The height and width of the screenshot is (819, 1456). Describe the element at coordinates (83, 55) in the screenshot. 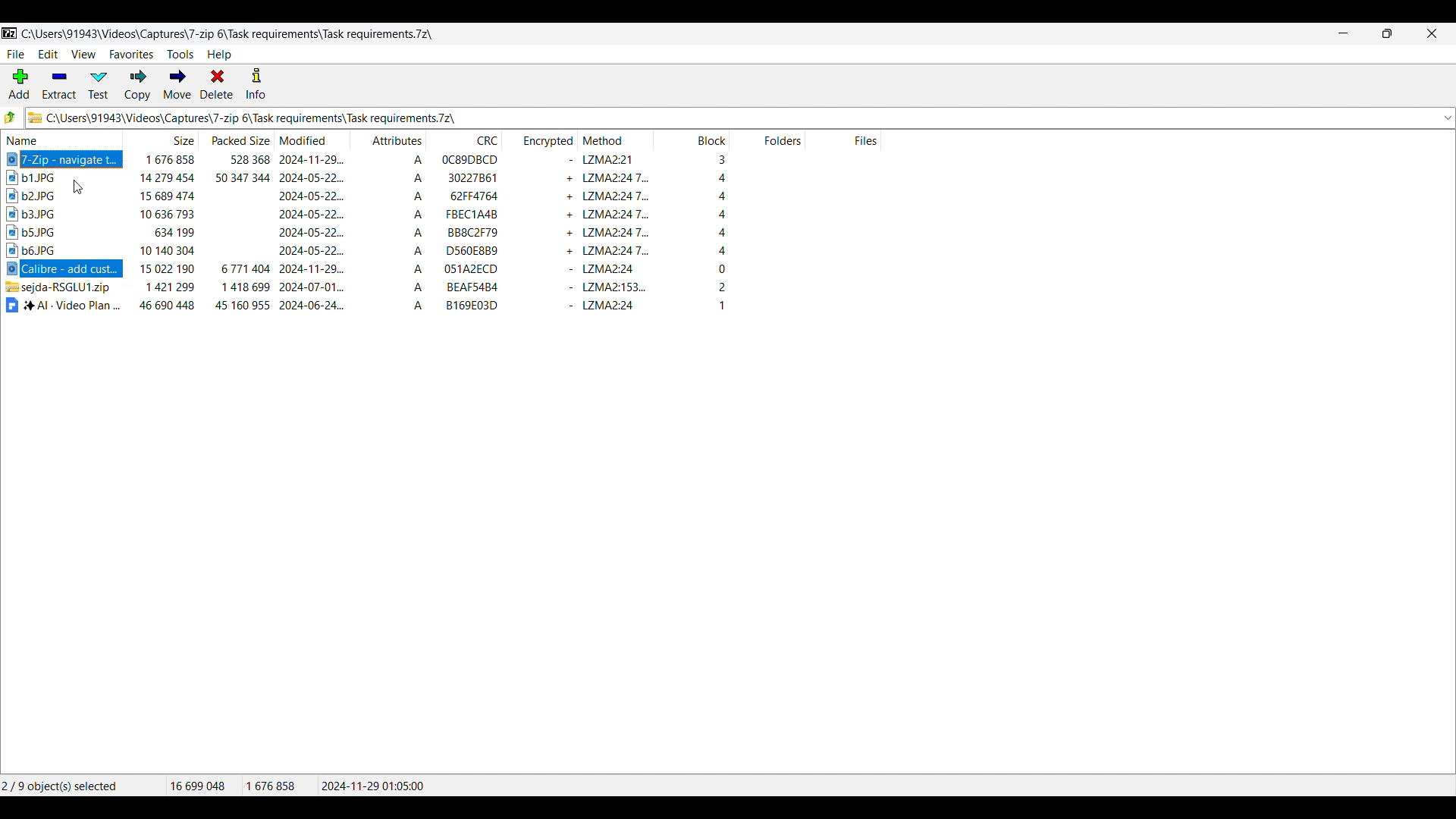

I see `View menu` at that location.